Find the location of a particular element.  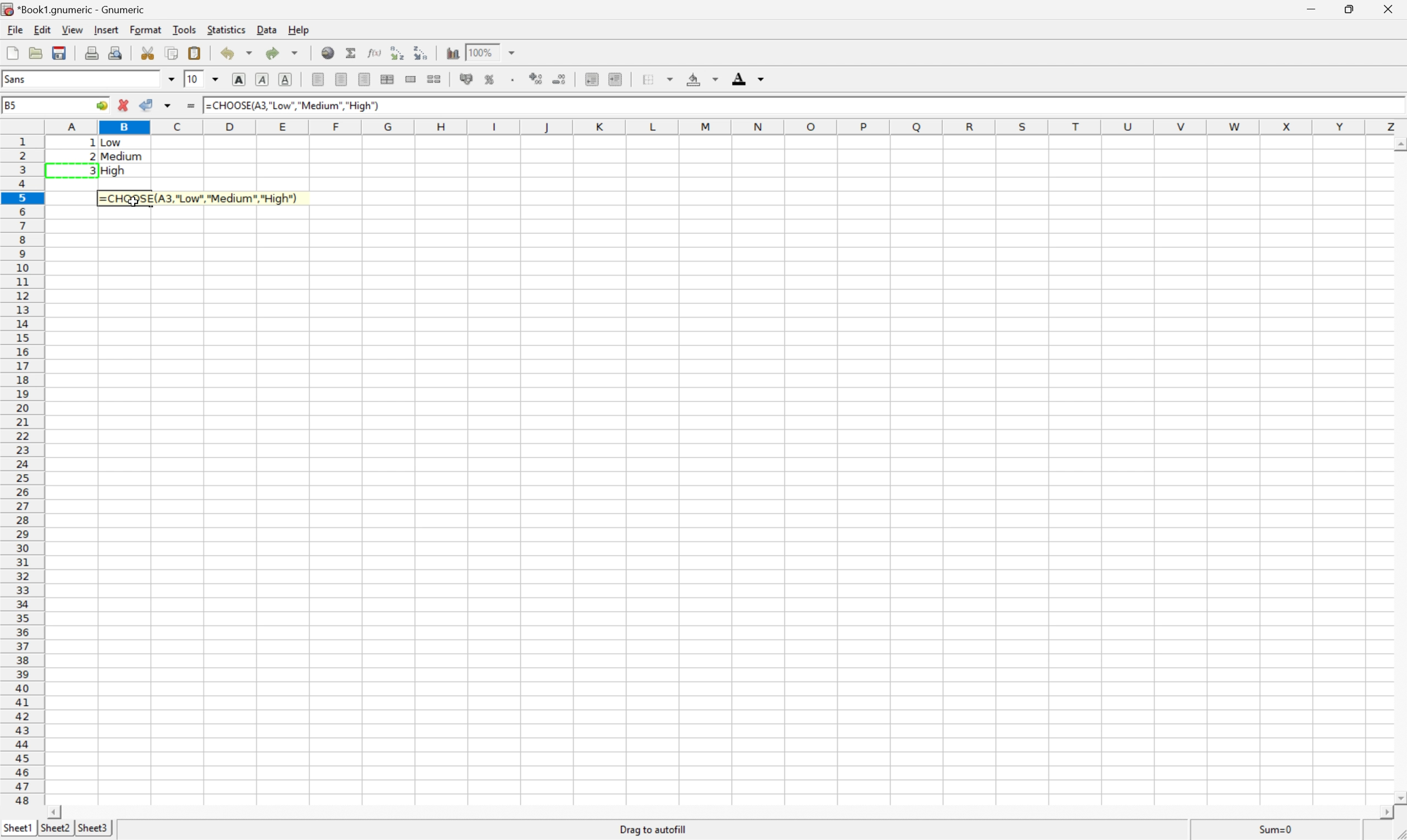

Set the format of the selected cells to include a thousands separator is located at coordinates (513, 81).